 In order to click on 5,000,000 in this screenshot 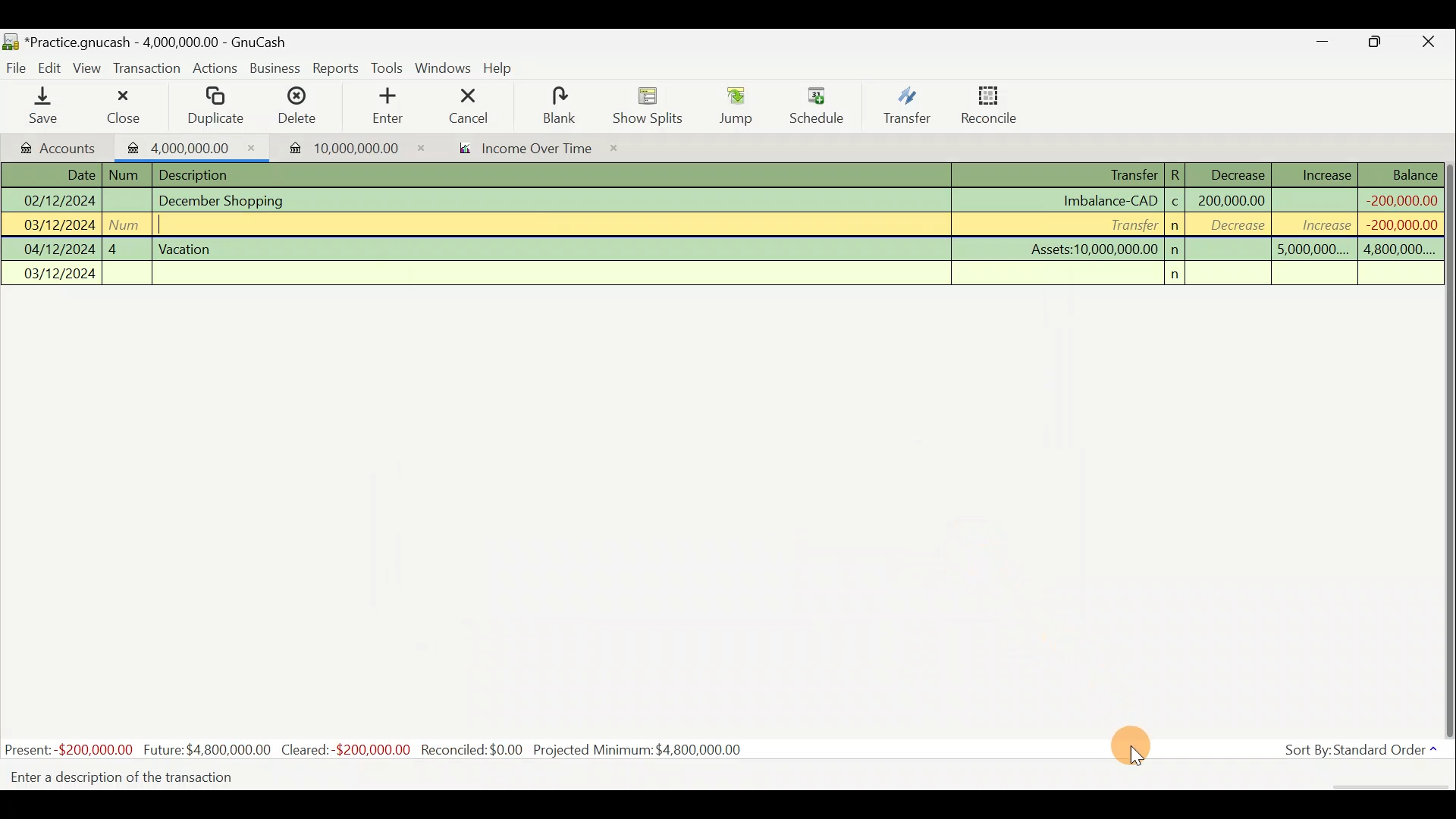, I will do `click(1313, 252)`.